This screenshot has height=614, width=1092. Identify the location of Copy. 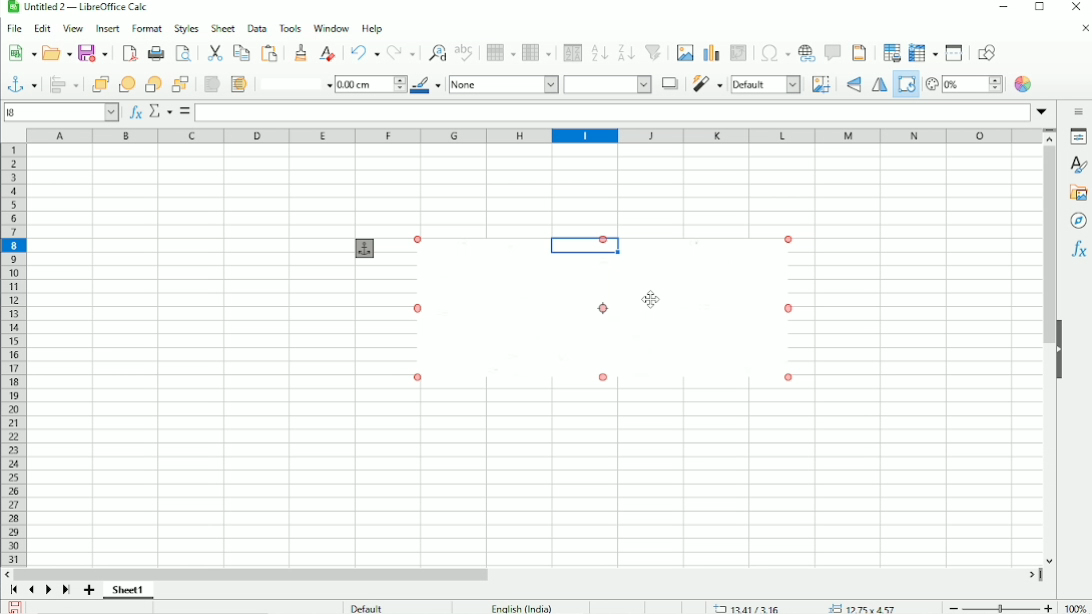
(241, 52).